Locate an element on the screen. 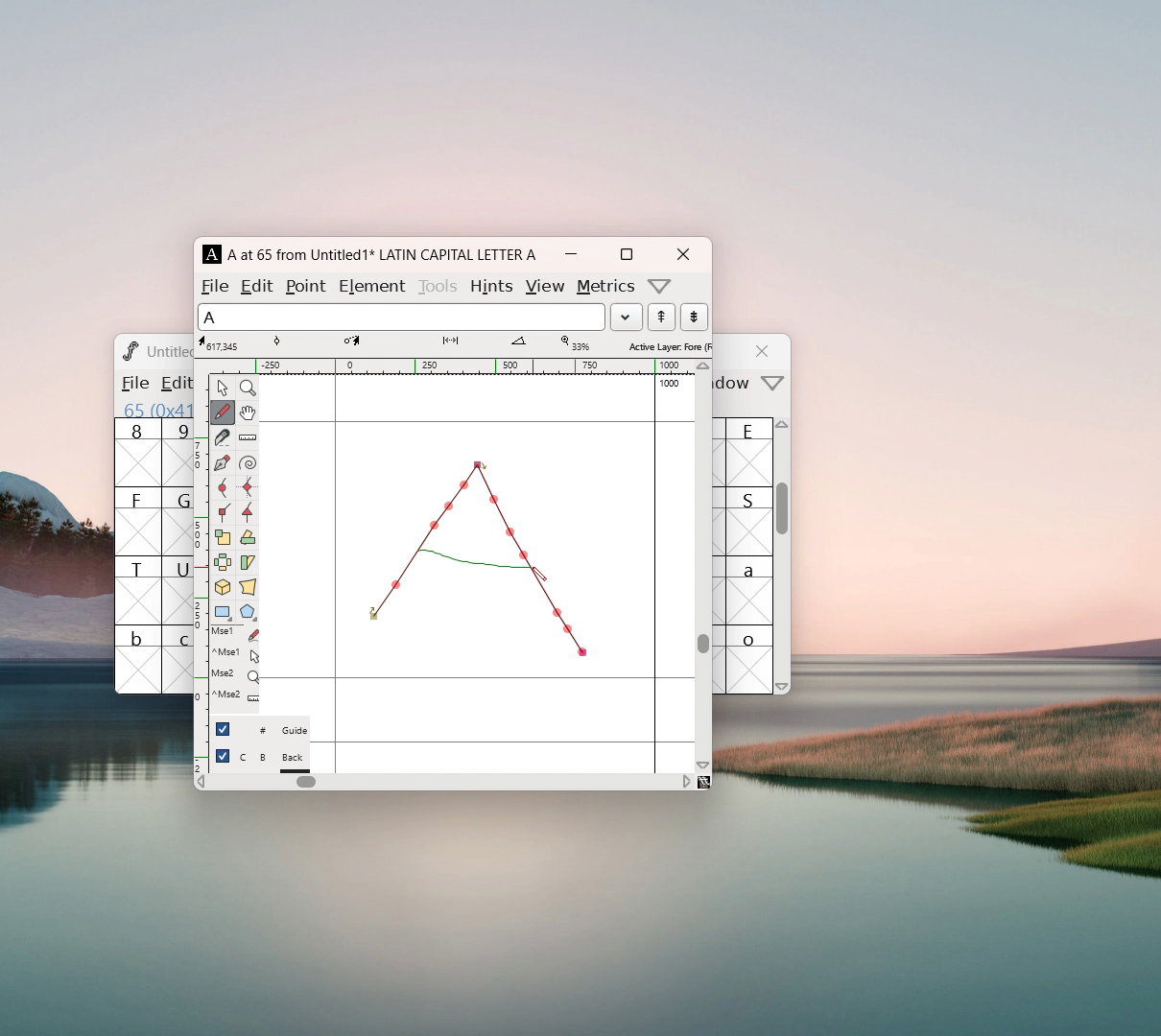  scroll up is located at coordinates (704, 366).